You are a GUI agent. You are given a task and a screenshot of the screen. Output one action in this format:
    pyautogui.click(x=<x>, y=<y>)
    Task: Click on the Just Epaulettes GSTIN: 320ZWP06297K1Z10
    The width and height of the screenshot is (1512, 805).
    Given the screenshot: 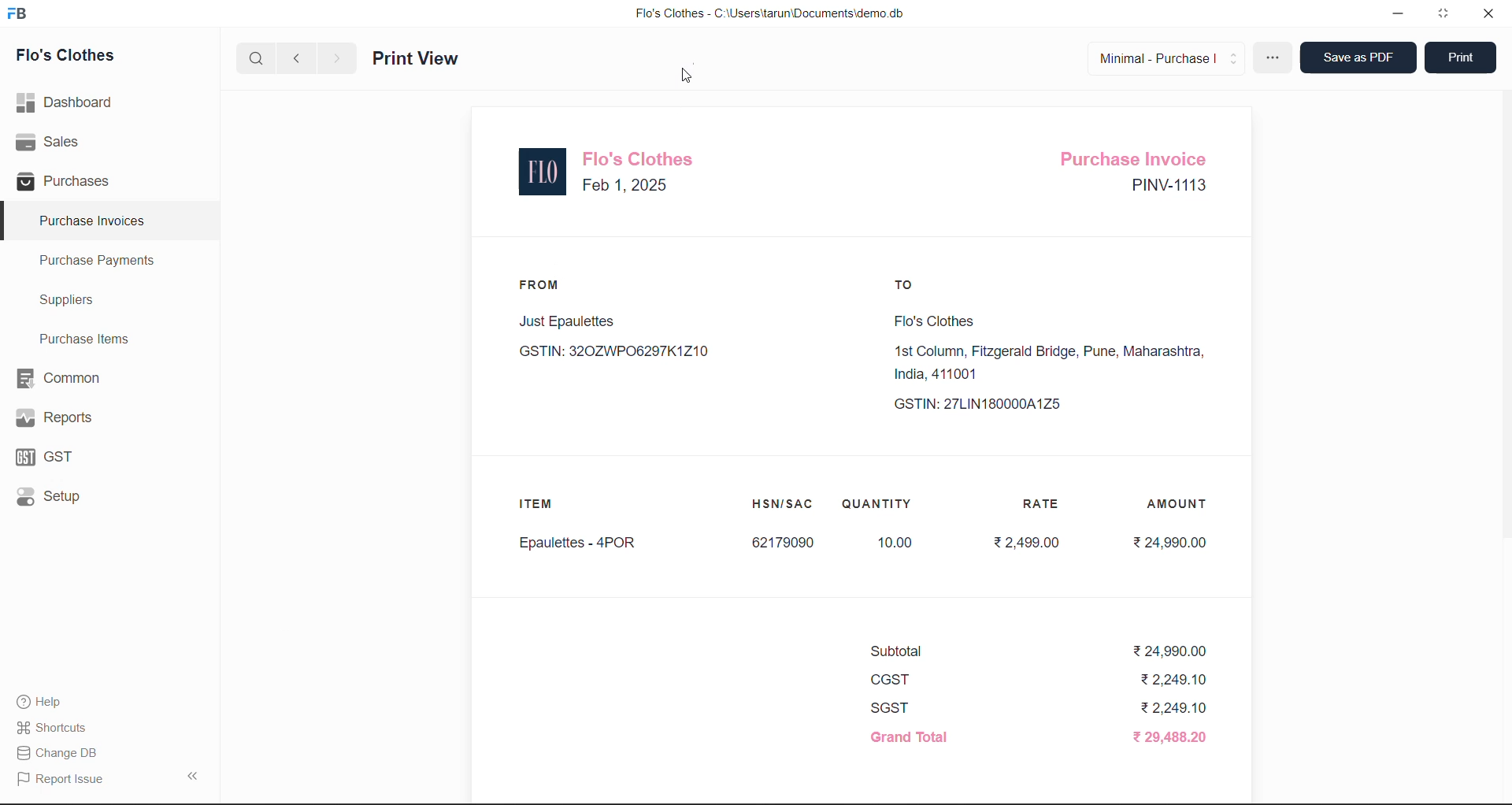 What is the action you would take?
    pyautogui.click(x=618, y=339)
    